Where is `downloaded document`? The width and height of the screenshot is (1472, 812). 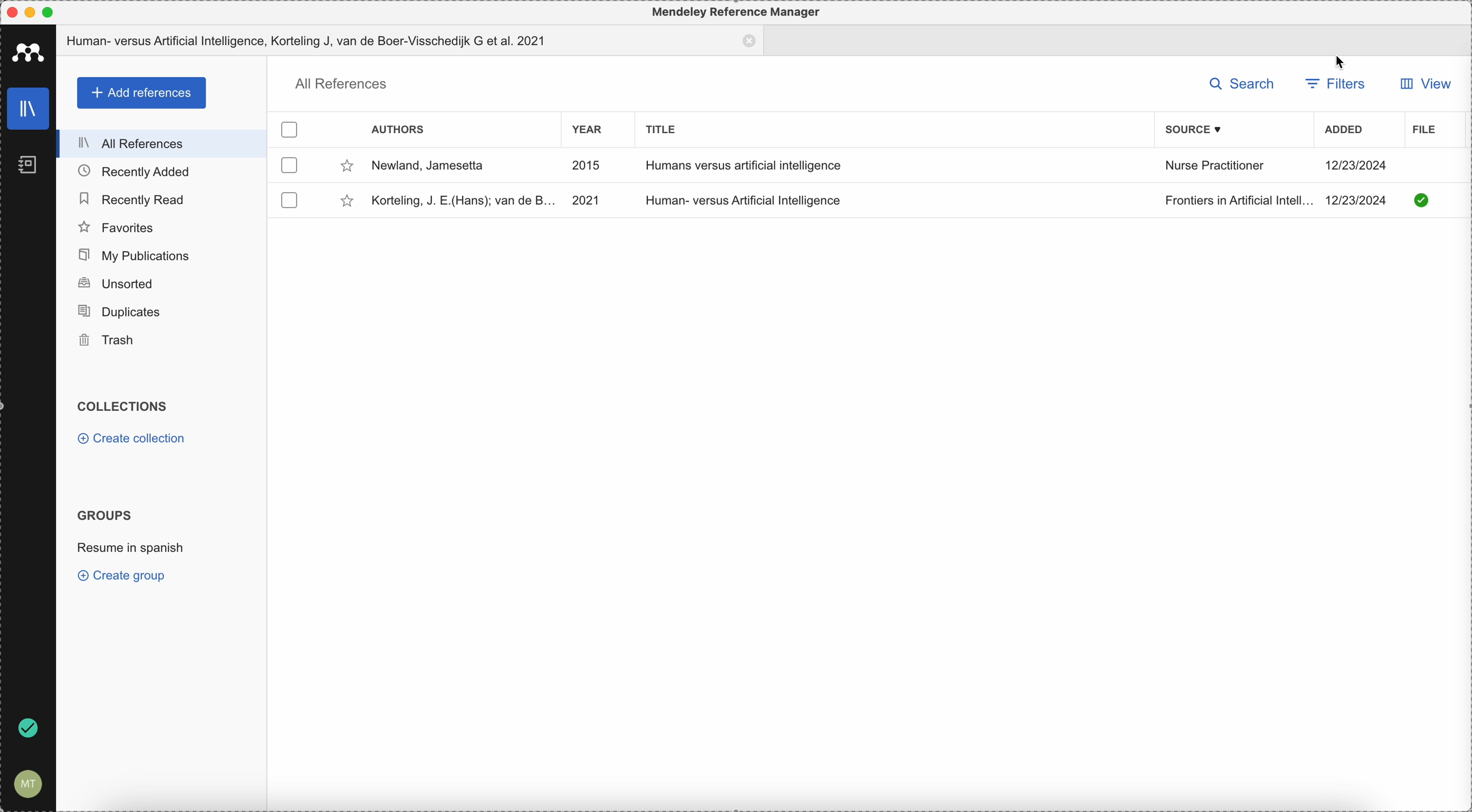
downloaded document is located at coordinates (1419, 202).